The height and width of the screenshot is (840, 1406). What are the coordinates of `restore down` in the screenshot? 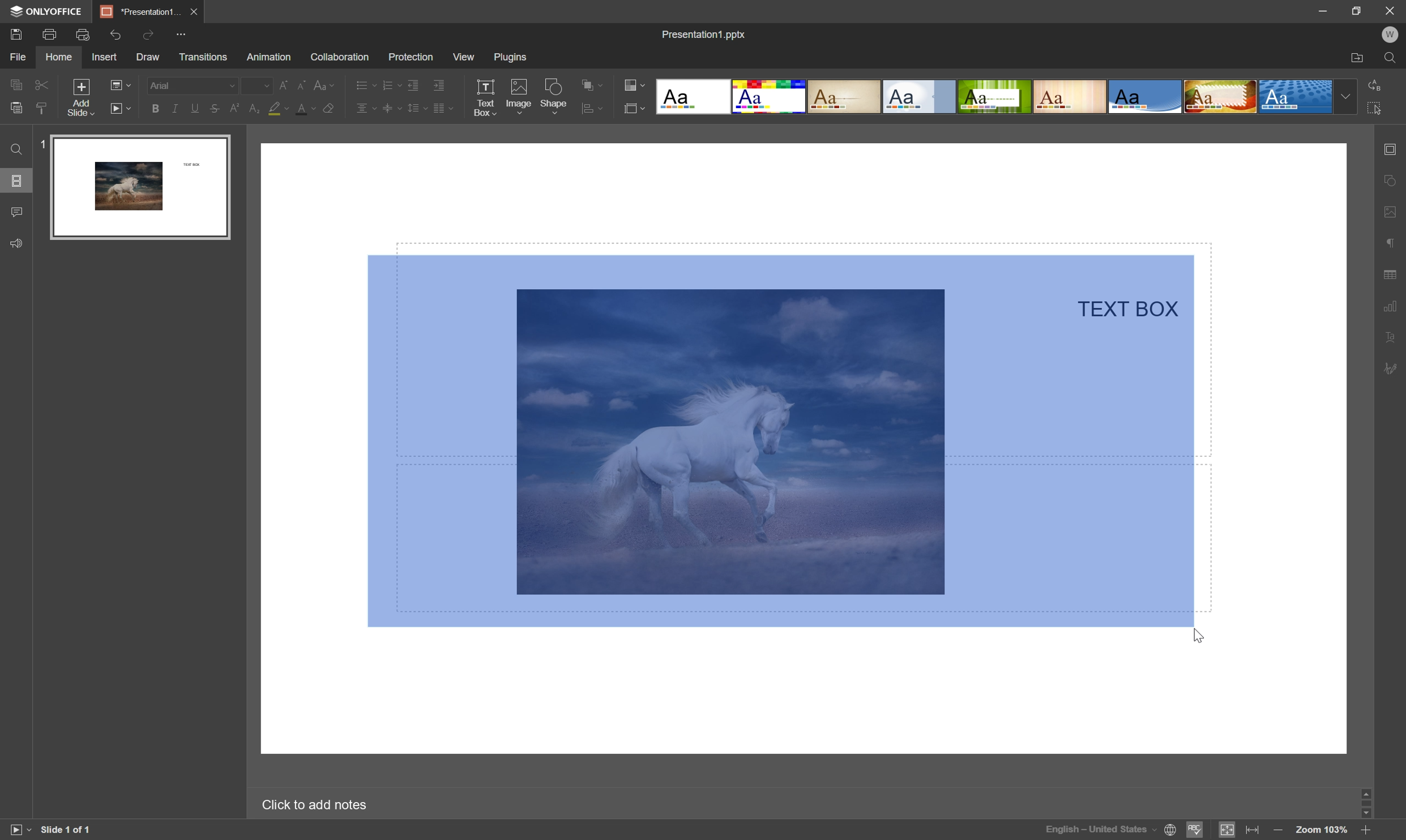 It's located at (1358, 8).